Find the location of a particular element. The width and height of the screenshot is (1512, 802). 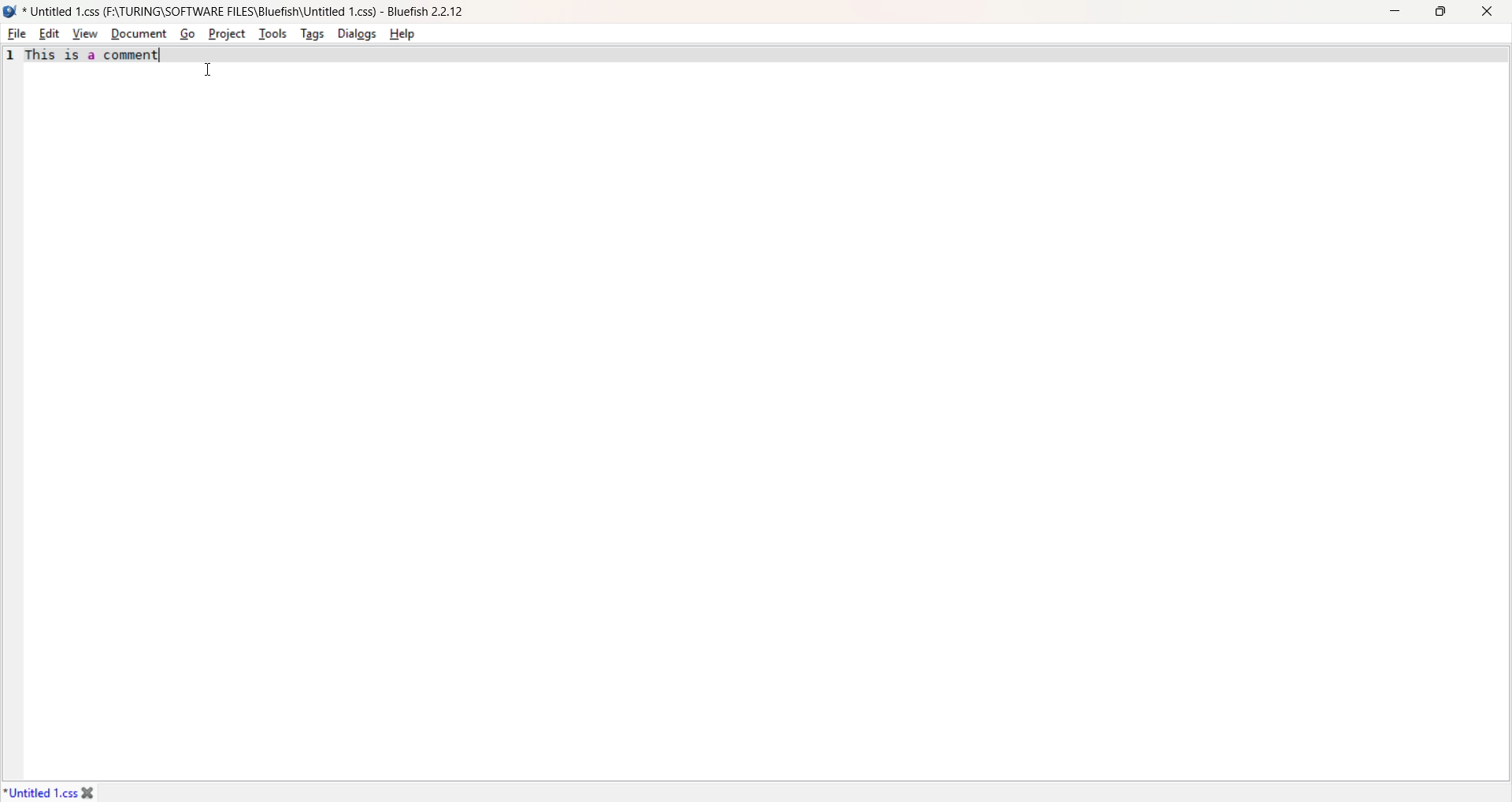

File is located at coordinates (17, 35).